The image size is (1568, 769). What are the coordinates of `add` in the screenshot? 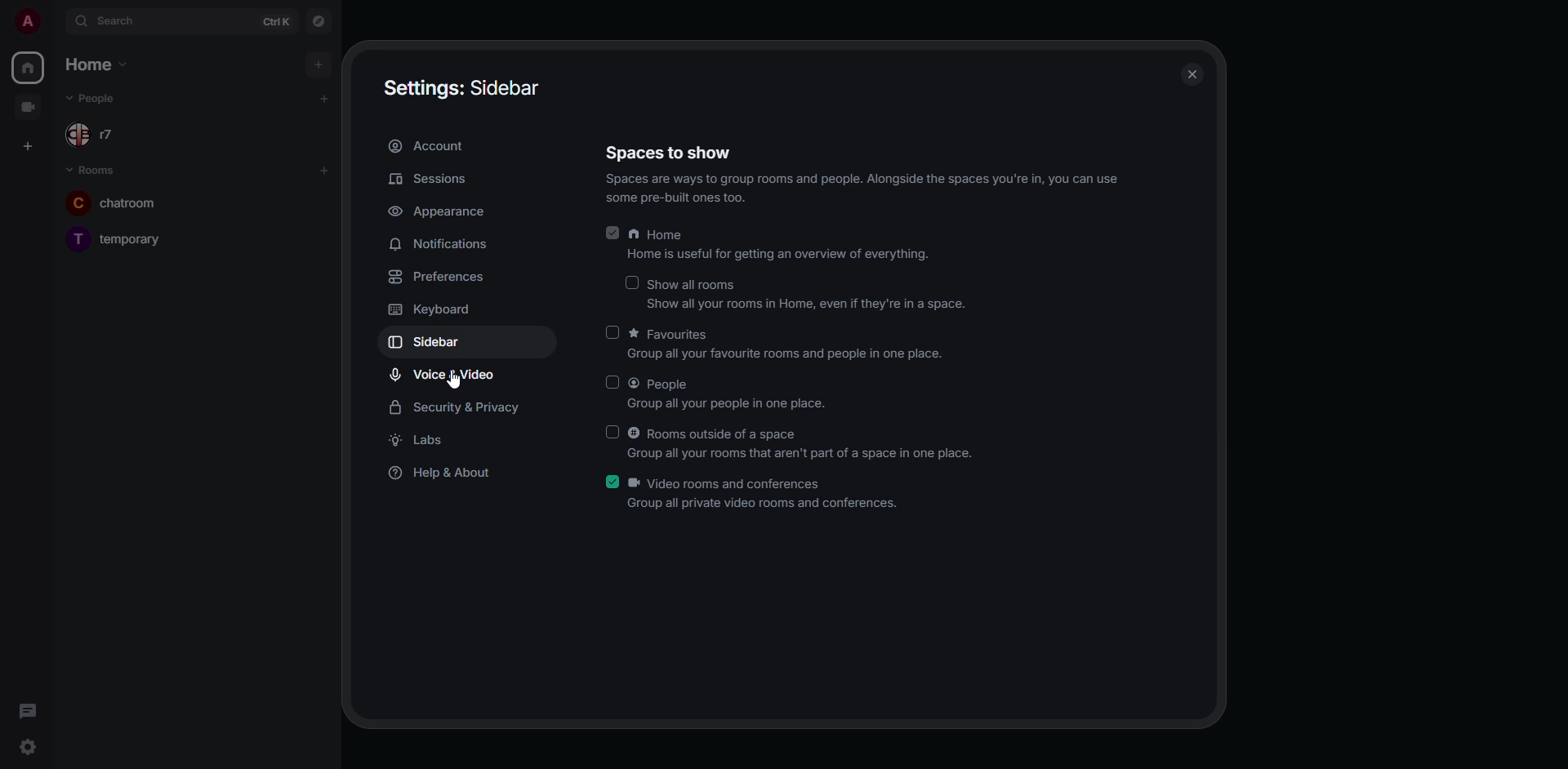 It's located at (318, 64).